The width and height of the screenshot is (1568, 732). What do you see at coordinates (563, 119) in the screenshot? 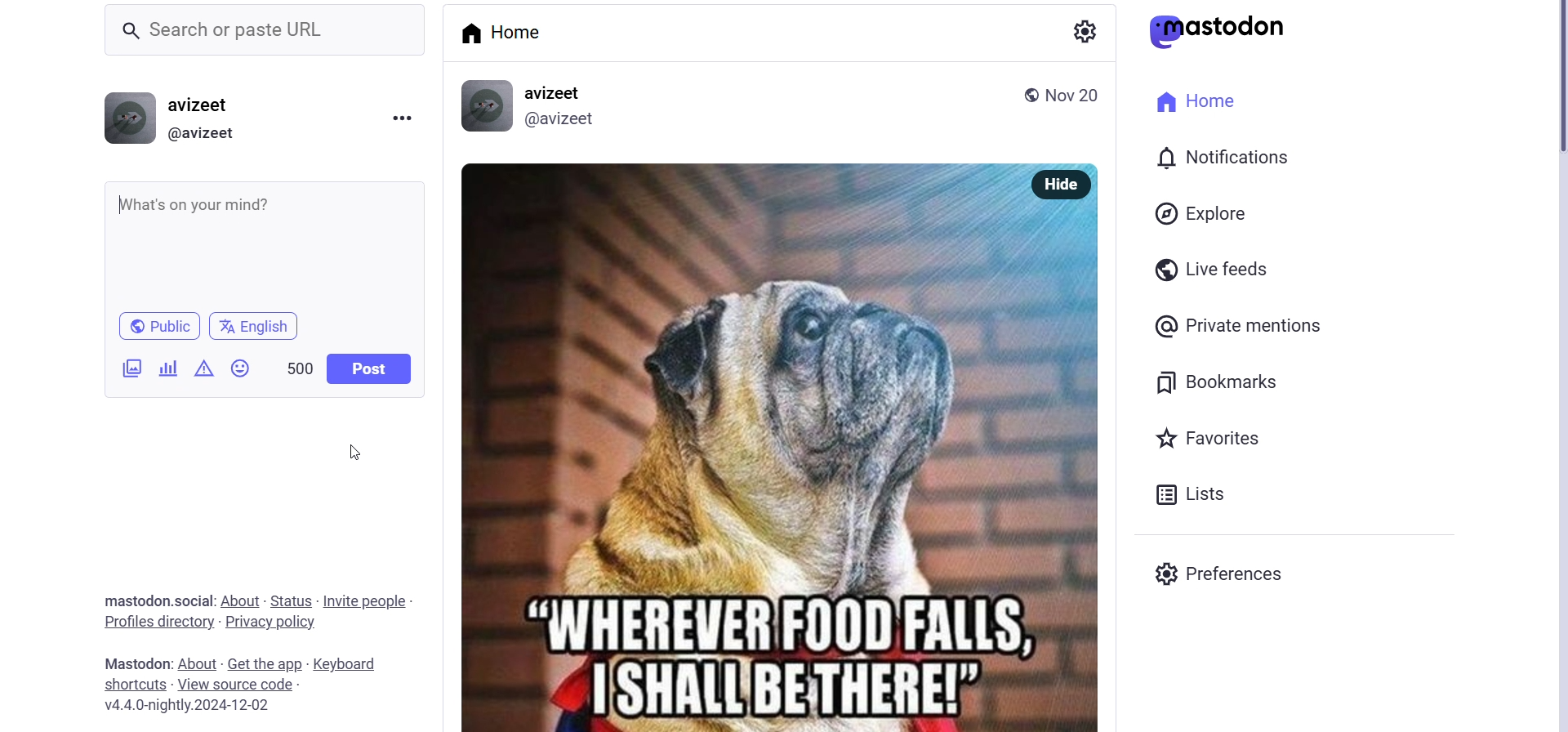
I see `@avizeet` at bounding box center [563, 119].